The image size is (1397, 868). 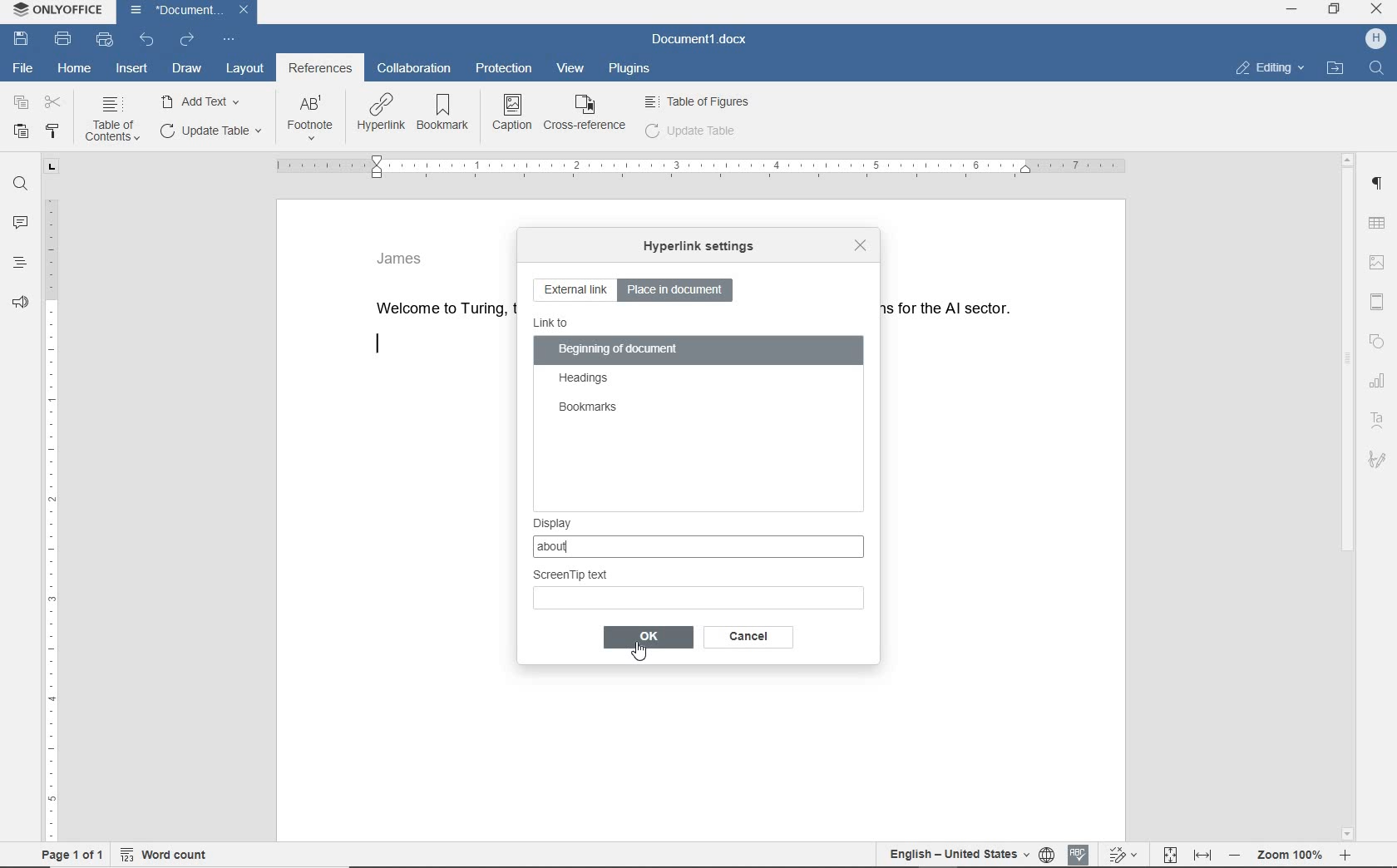 I want to click on Cursor, so click(x=644, y=649).